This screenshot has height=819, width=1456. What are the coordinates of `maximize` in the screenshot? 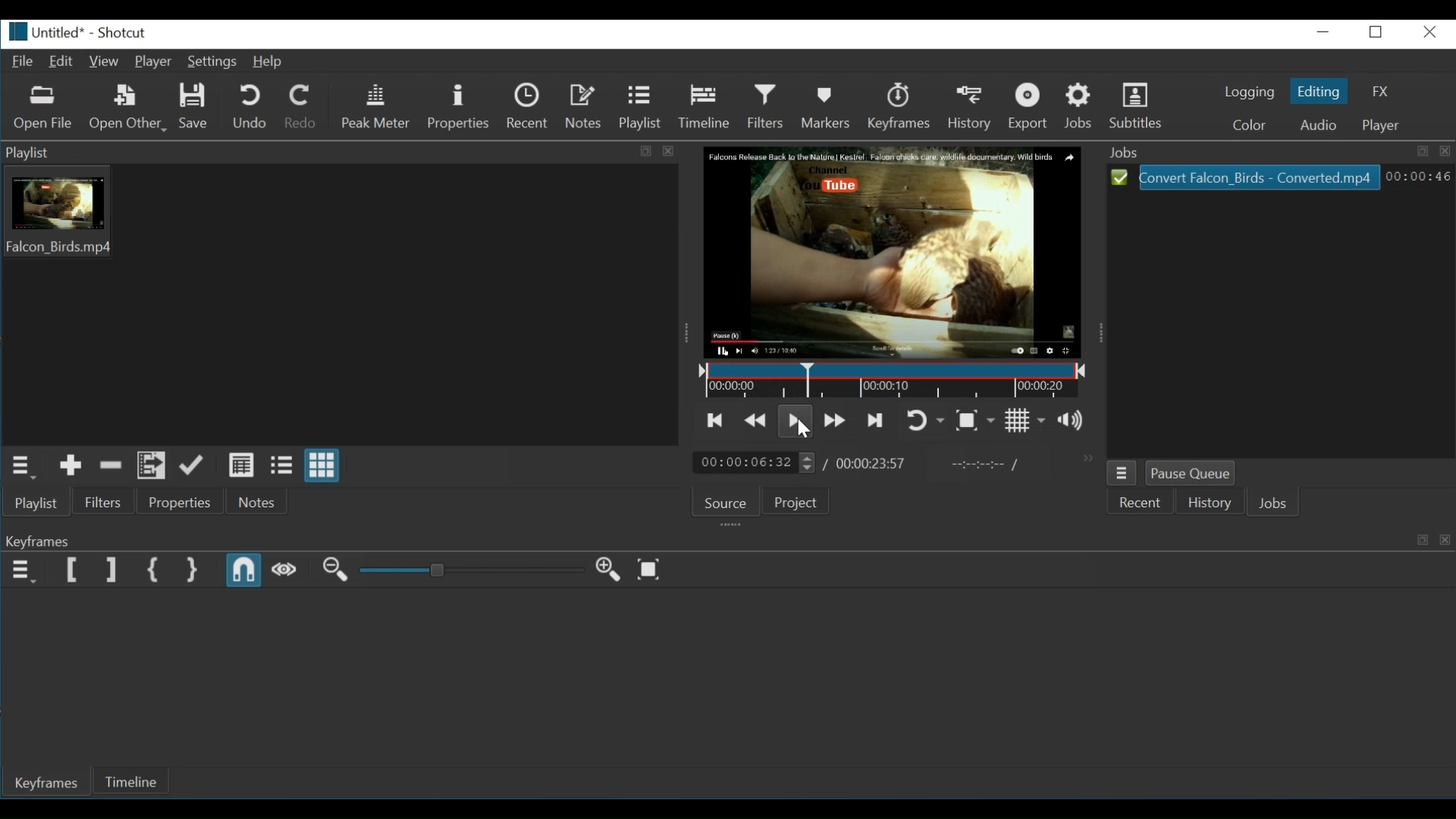 It's located at (1373, 33).